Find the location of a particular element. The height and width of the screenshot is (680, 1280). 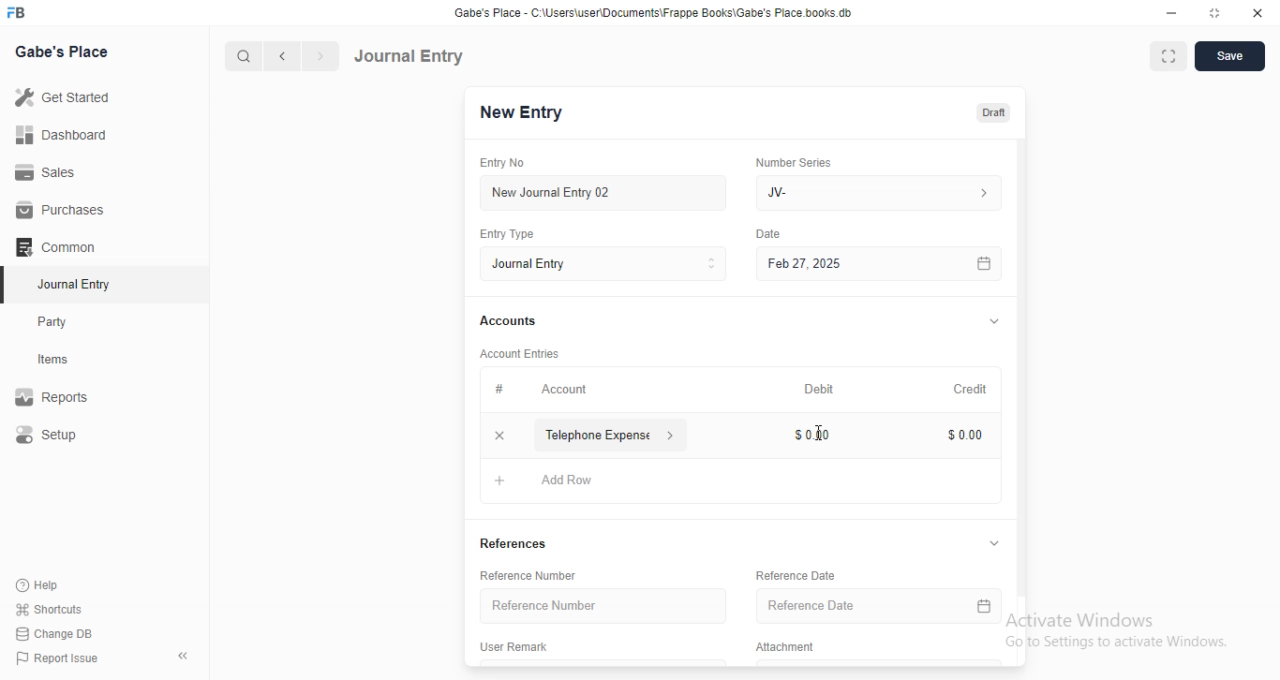

Reference Date. is located at coordinates (877, 608).